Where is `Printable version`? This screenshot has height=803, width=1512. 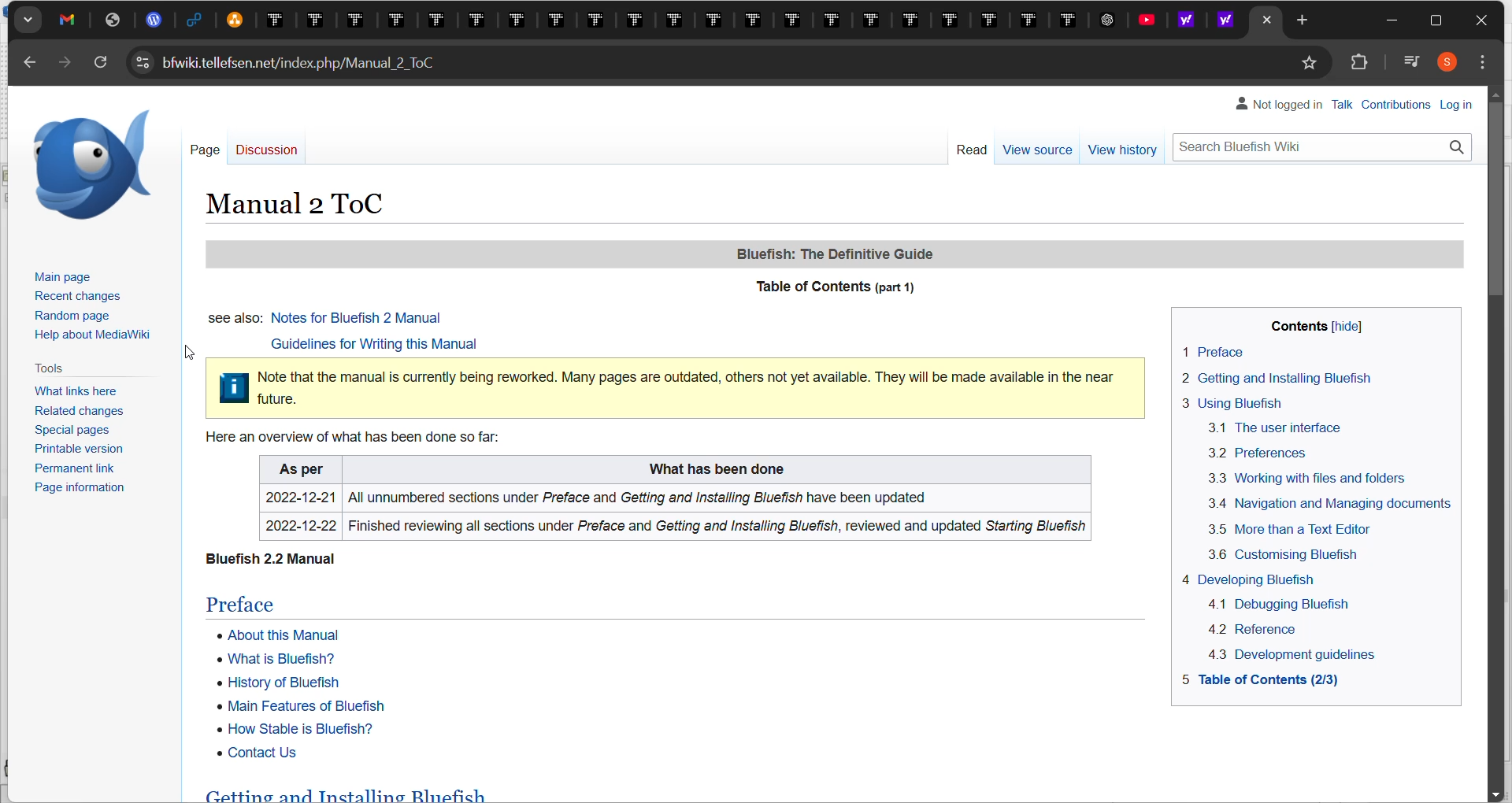
Printable version is located at coordinates (72, 452).